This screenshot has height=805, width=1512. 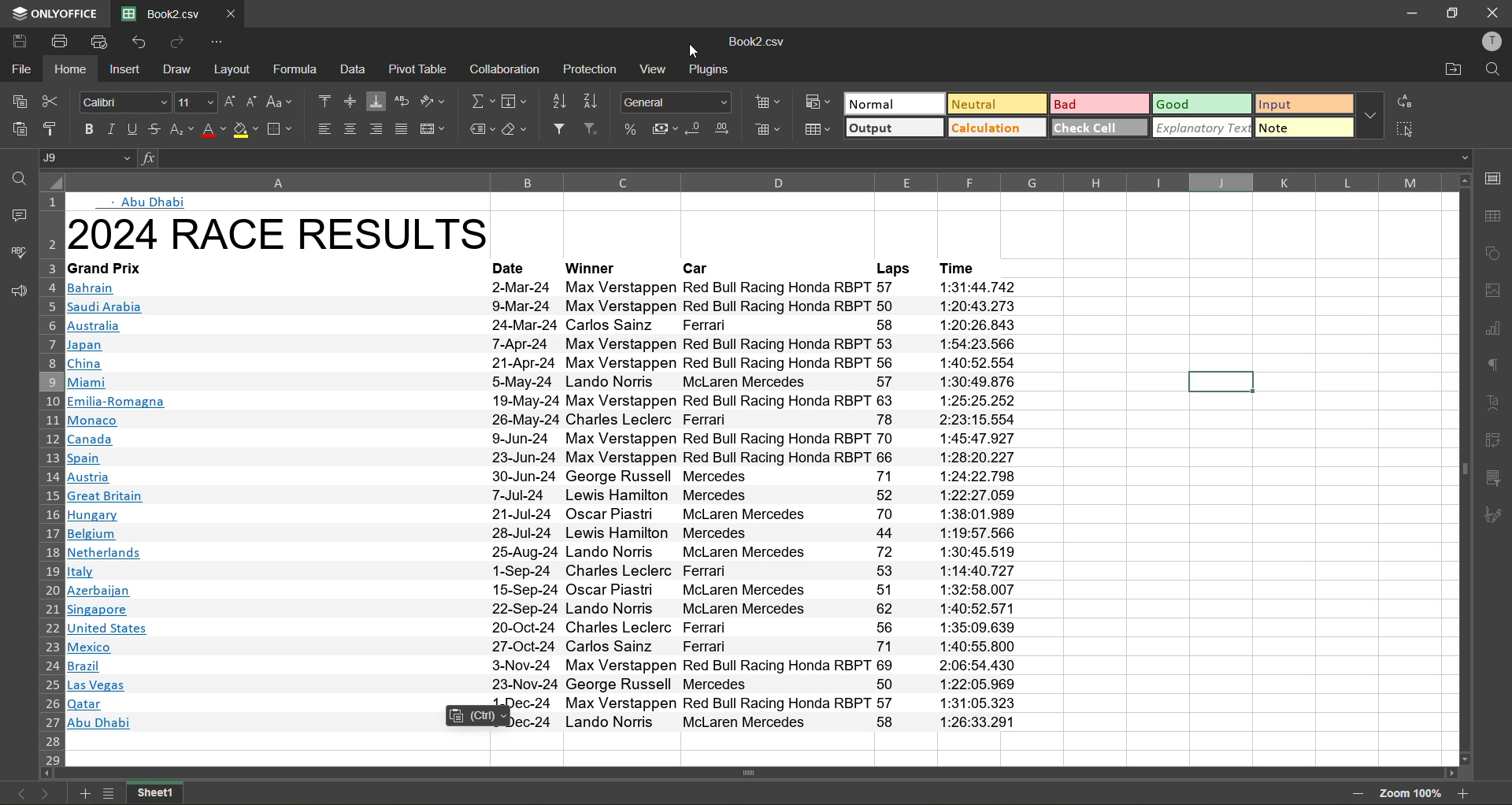 What do you see at coordinates (748, 181) in the screenshot?
I see `column name` at bounding box center [748, 181].